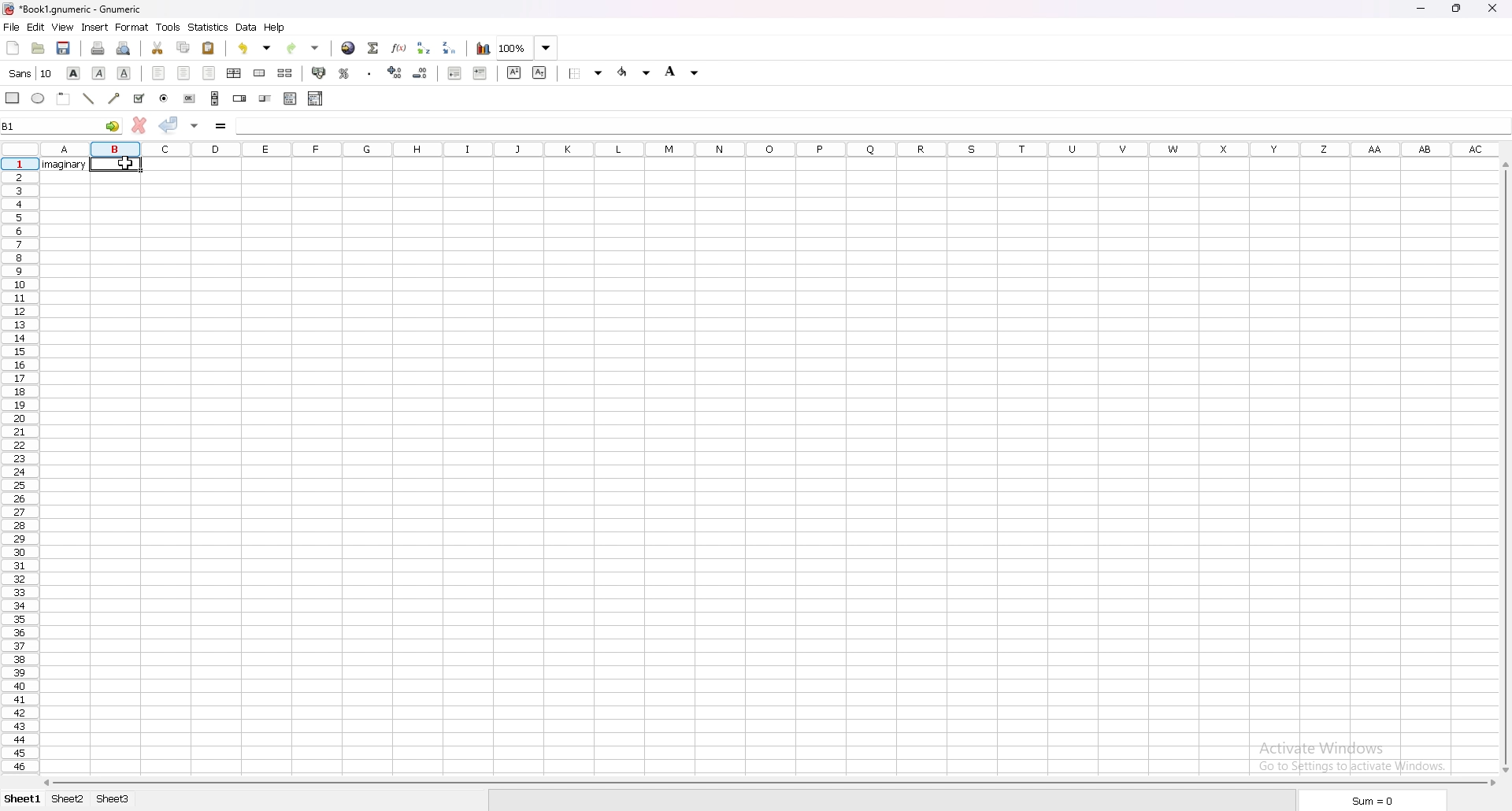 The width and height of the screenshot is (1512, 811). Describe the element at coordinates (66, 165) in the screenshot. I see `word` at that location.